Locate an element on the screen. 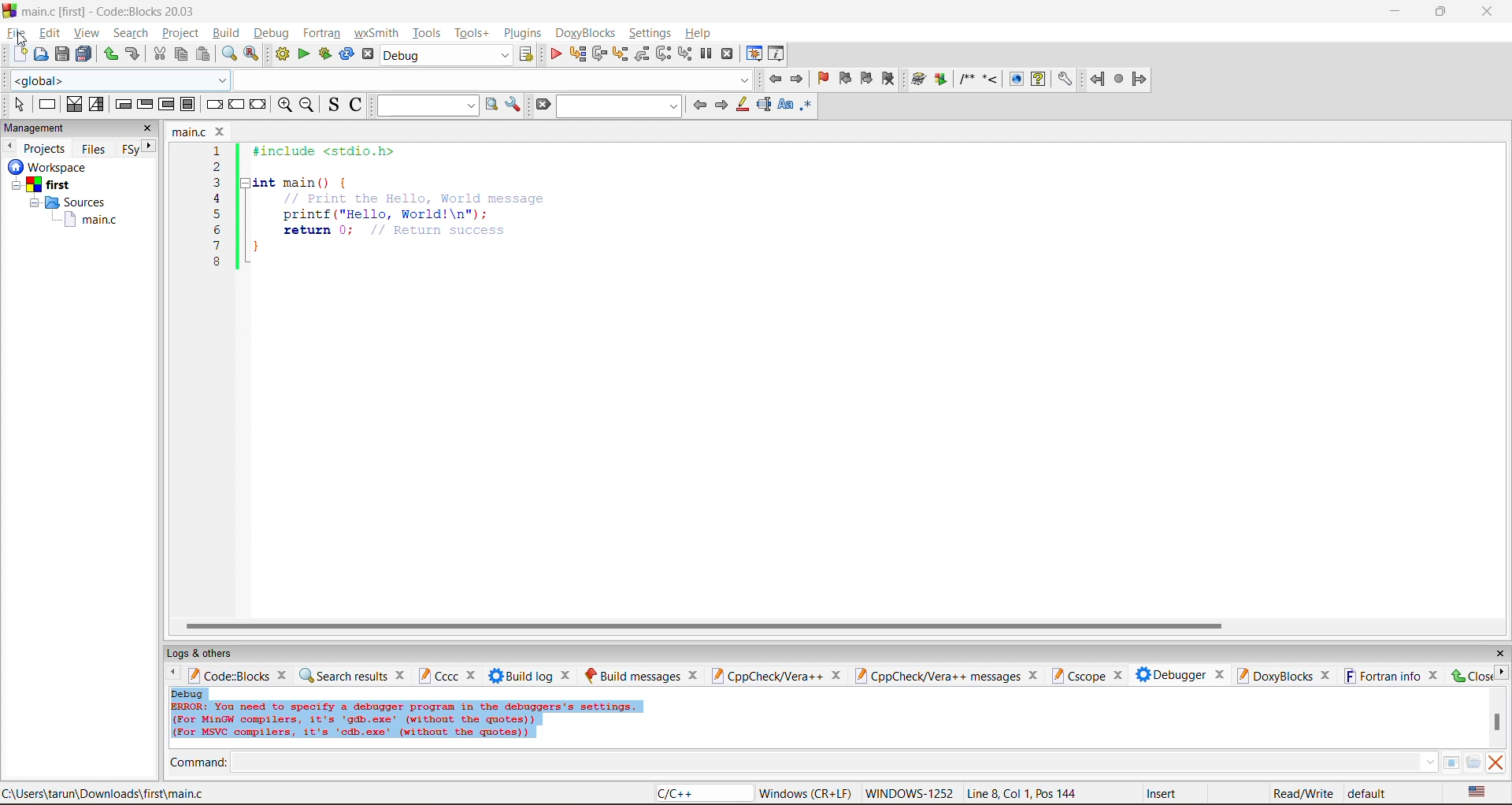  close is located at coordinates (1117, 676).